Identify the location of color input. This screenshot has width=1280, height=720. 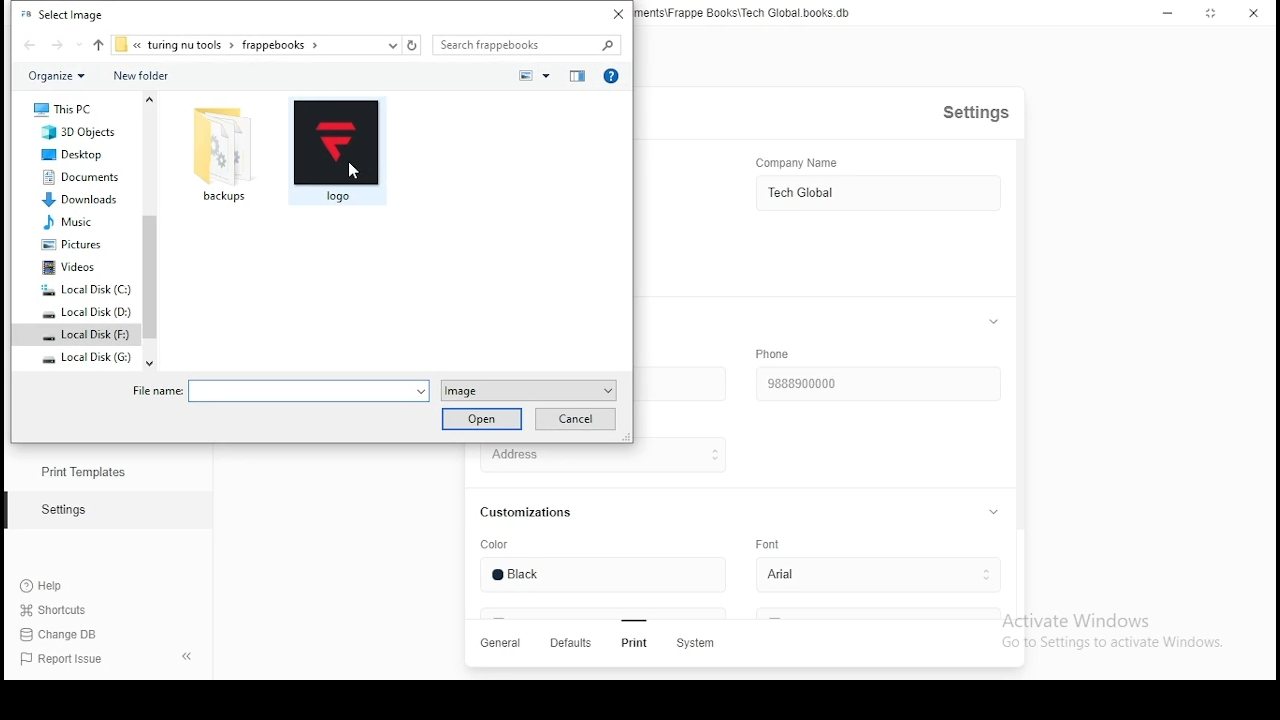
(600, 579).